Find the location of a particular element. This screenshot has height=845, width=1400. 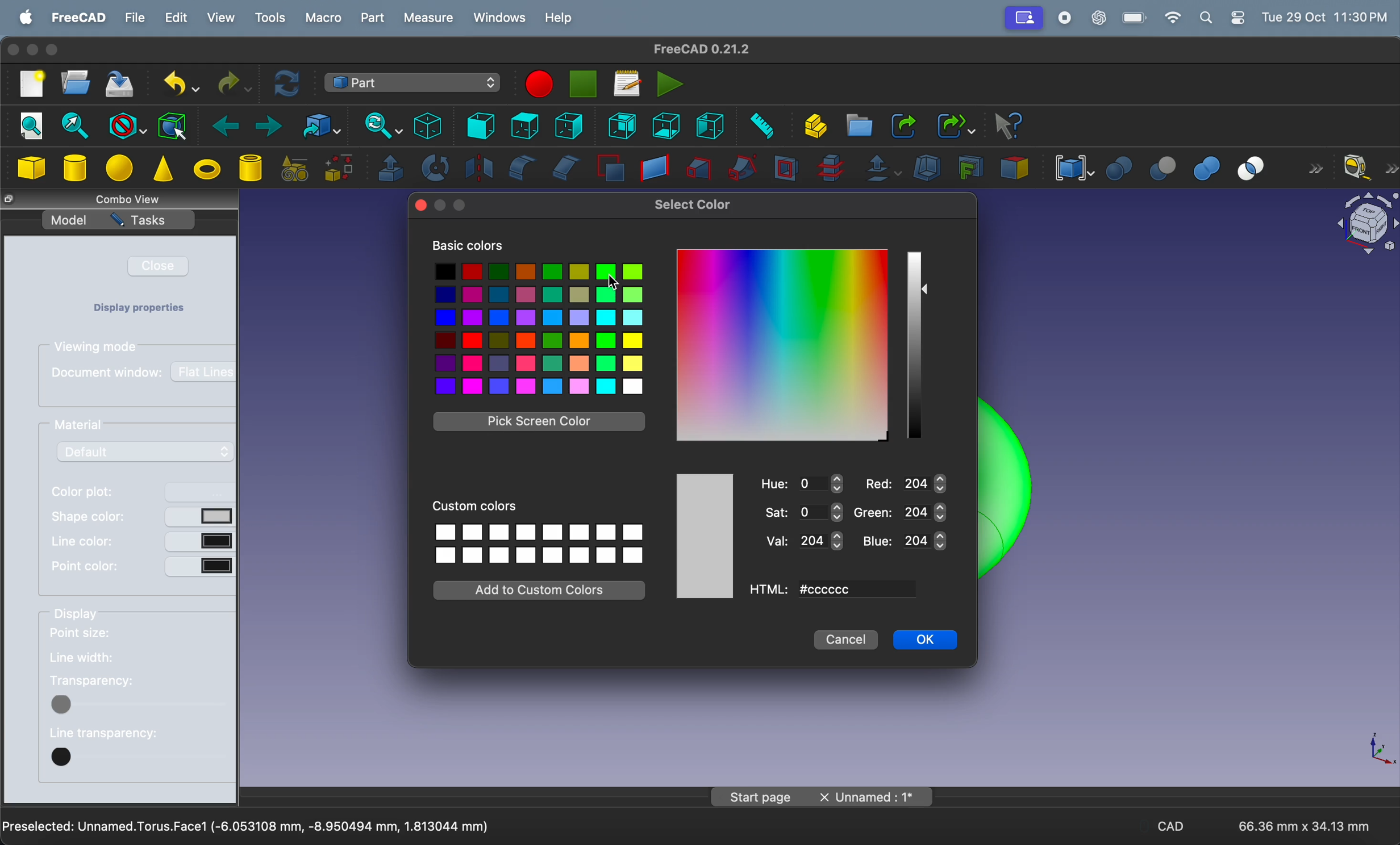

Unnamed: 1 is located at coordinates (872, 797).